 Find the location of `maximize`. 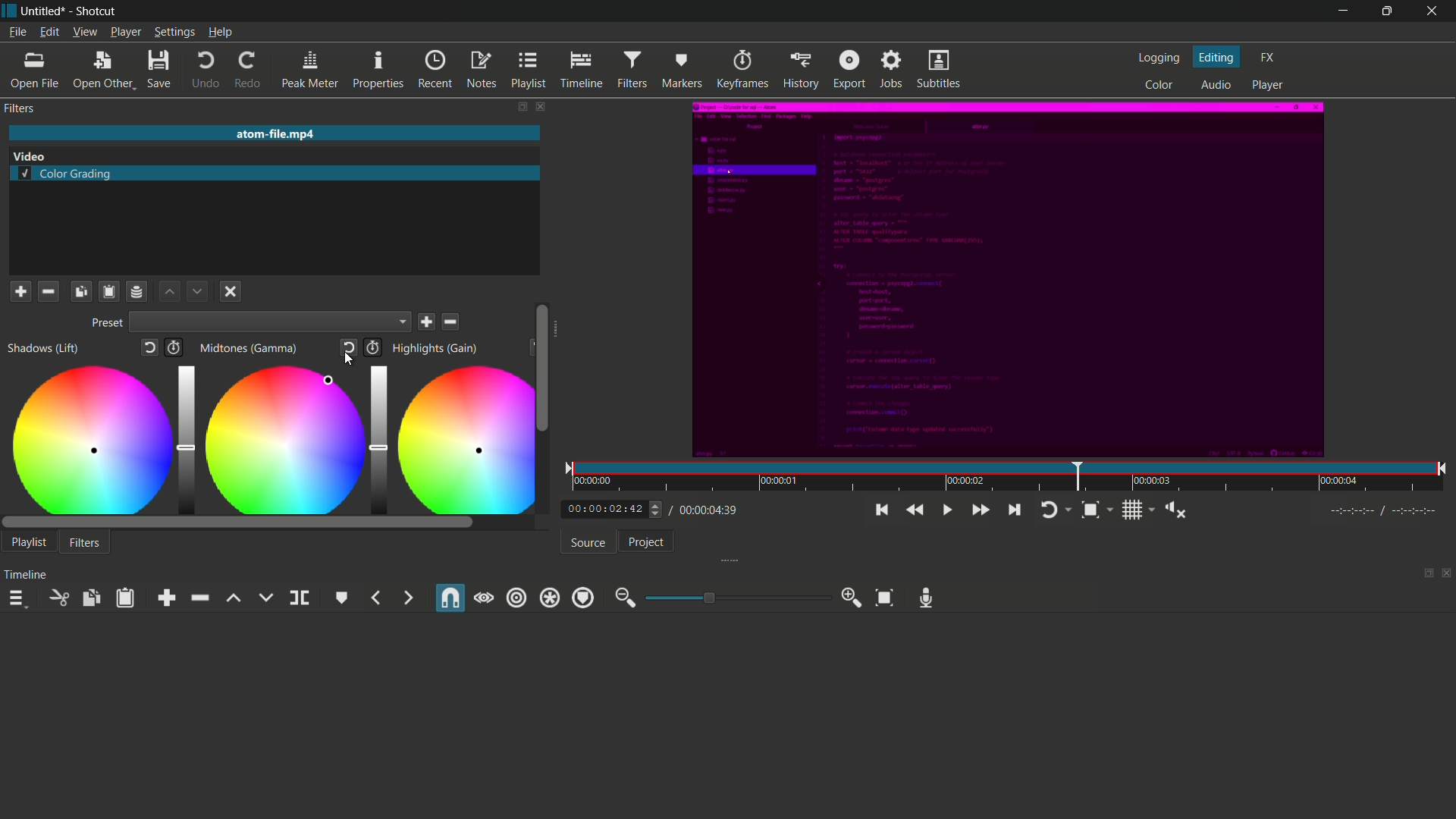

maximize is located at coordinates (1385, 11).